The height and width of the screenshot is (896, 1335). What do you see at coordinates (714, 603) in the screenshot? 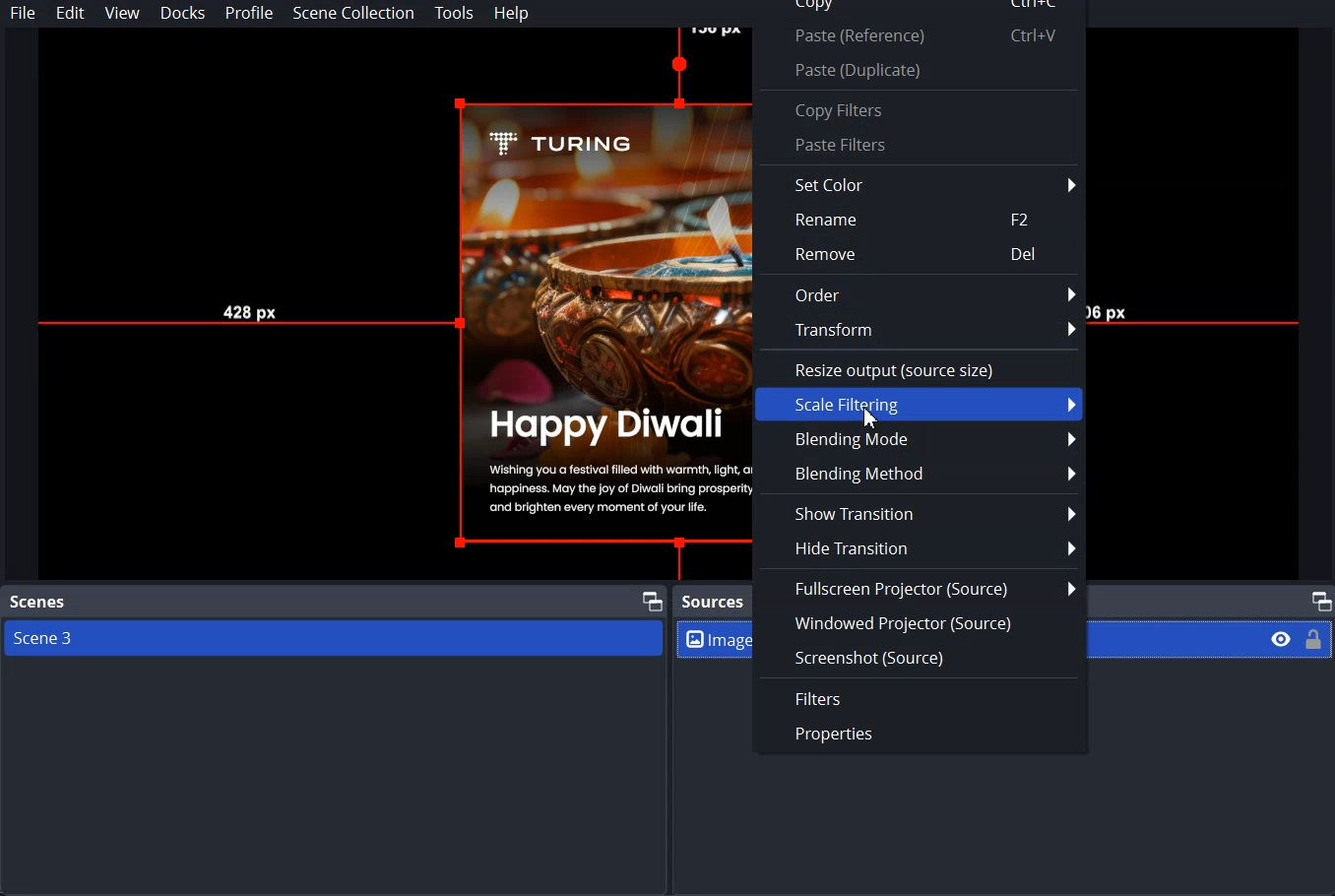
I see `Text` at bounding box center [714, 603].